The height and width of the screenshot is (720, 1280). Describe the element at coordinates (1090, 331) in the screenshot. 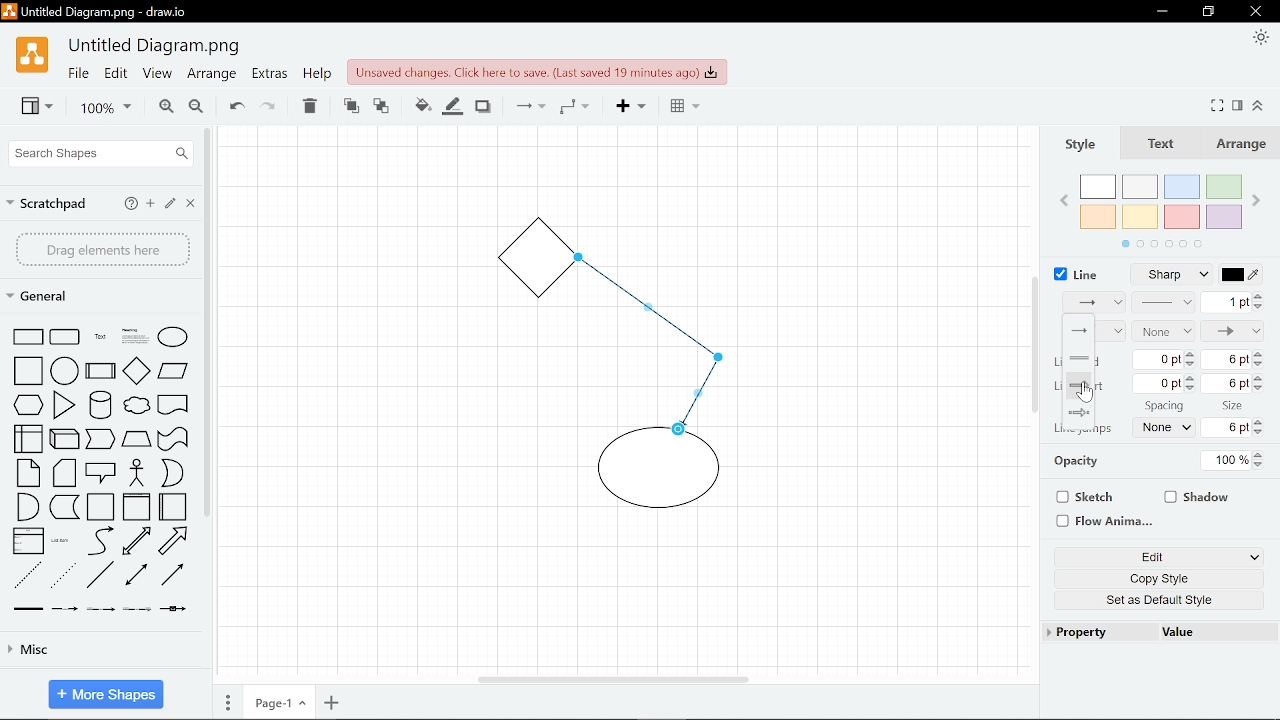

I see `Way points` at that location.